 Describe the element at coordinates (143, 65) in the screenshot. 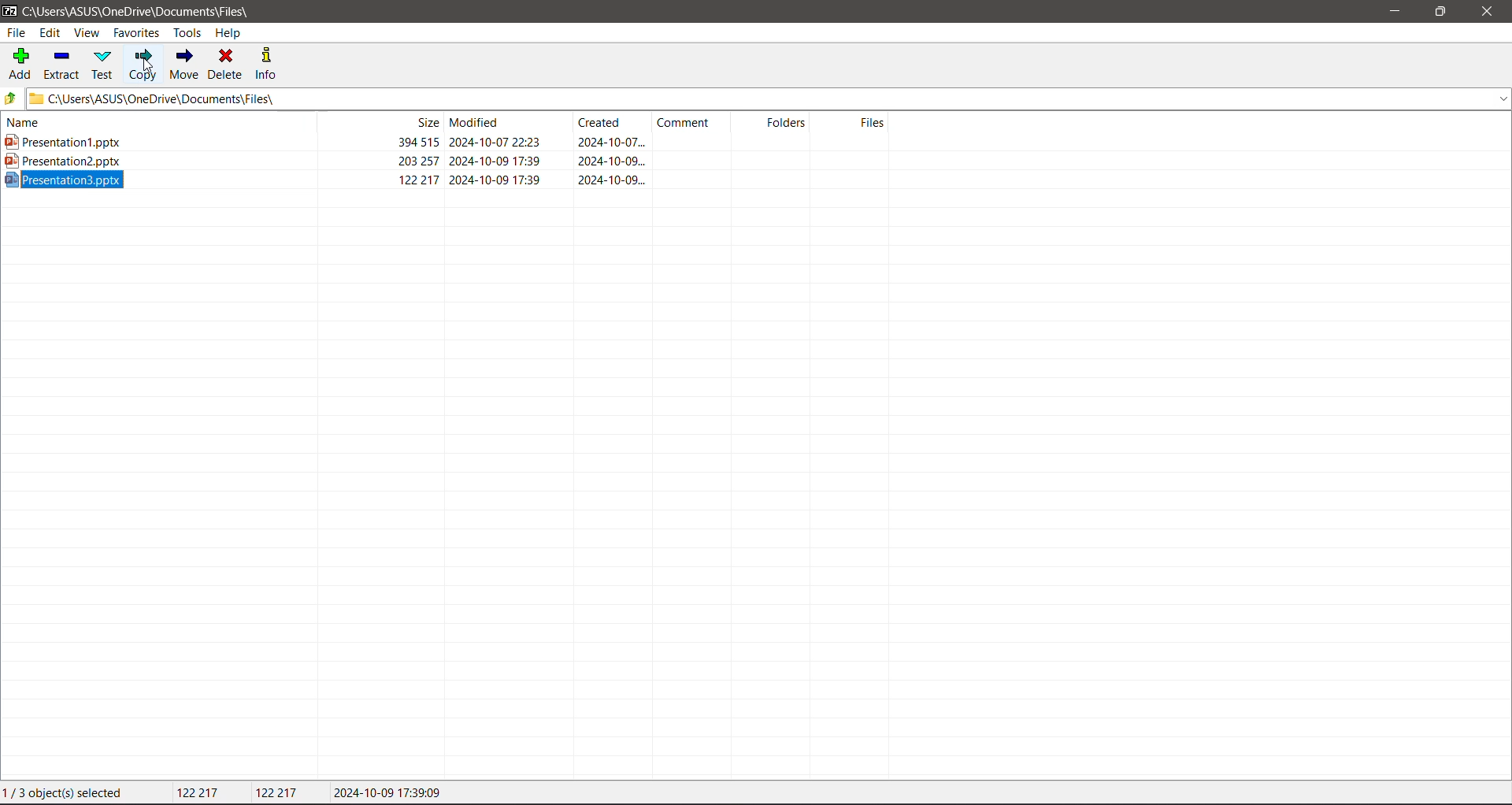

I see `Copy` at that location.